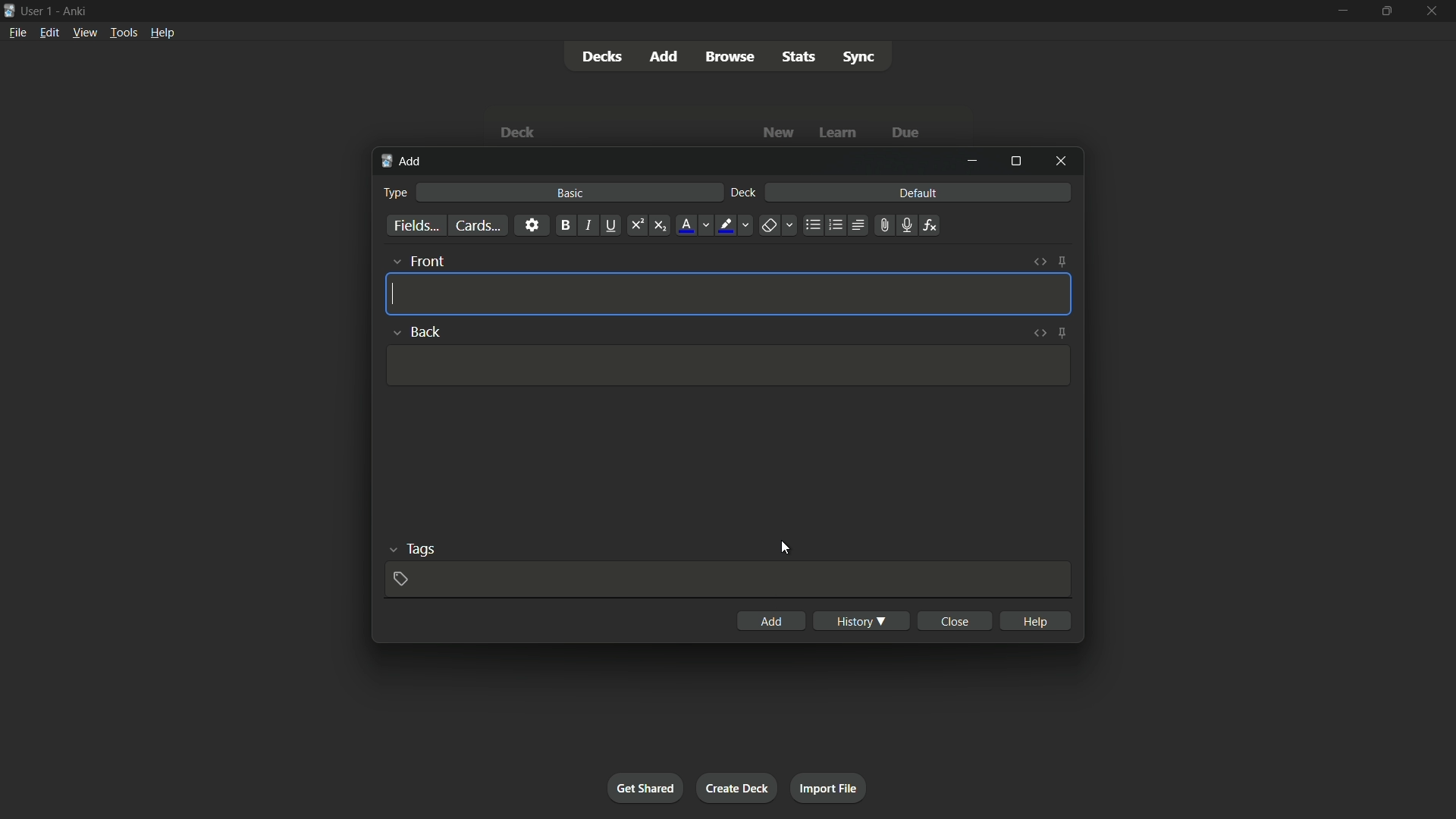 Image resolution: width=1456 pixels, height=819 pixels. What do you see at coordinates (564, 224) in the screenshot?
I see `bold` at bounding box center [564, 224].